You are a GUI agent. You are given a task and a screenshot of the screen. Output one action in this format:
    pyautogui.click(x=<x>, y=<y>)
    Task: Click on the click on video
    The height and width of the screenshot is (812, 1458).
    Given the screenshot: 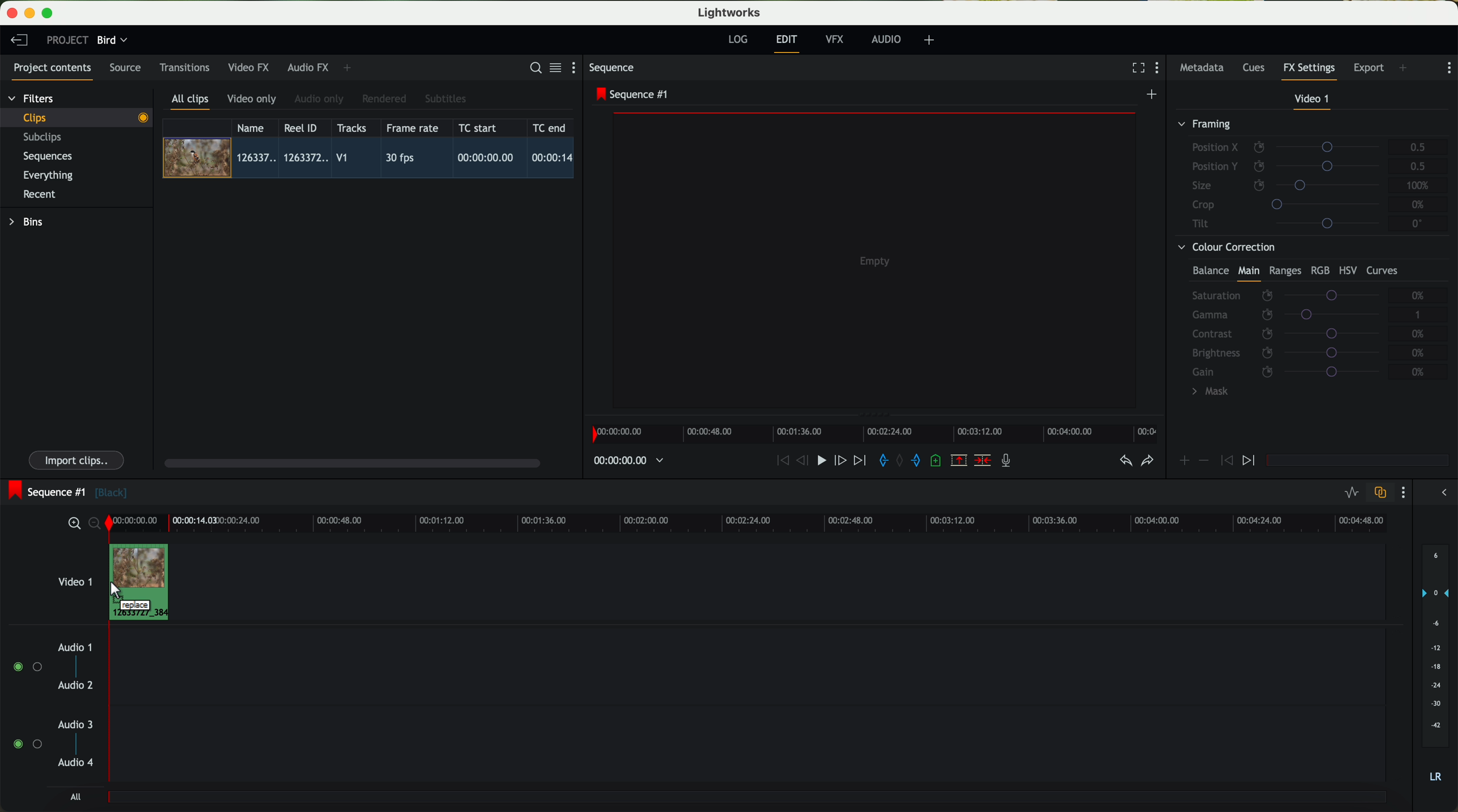 What is the action you would take?
    pyautogui.click(x=372, y=160)
    